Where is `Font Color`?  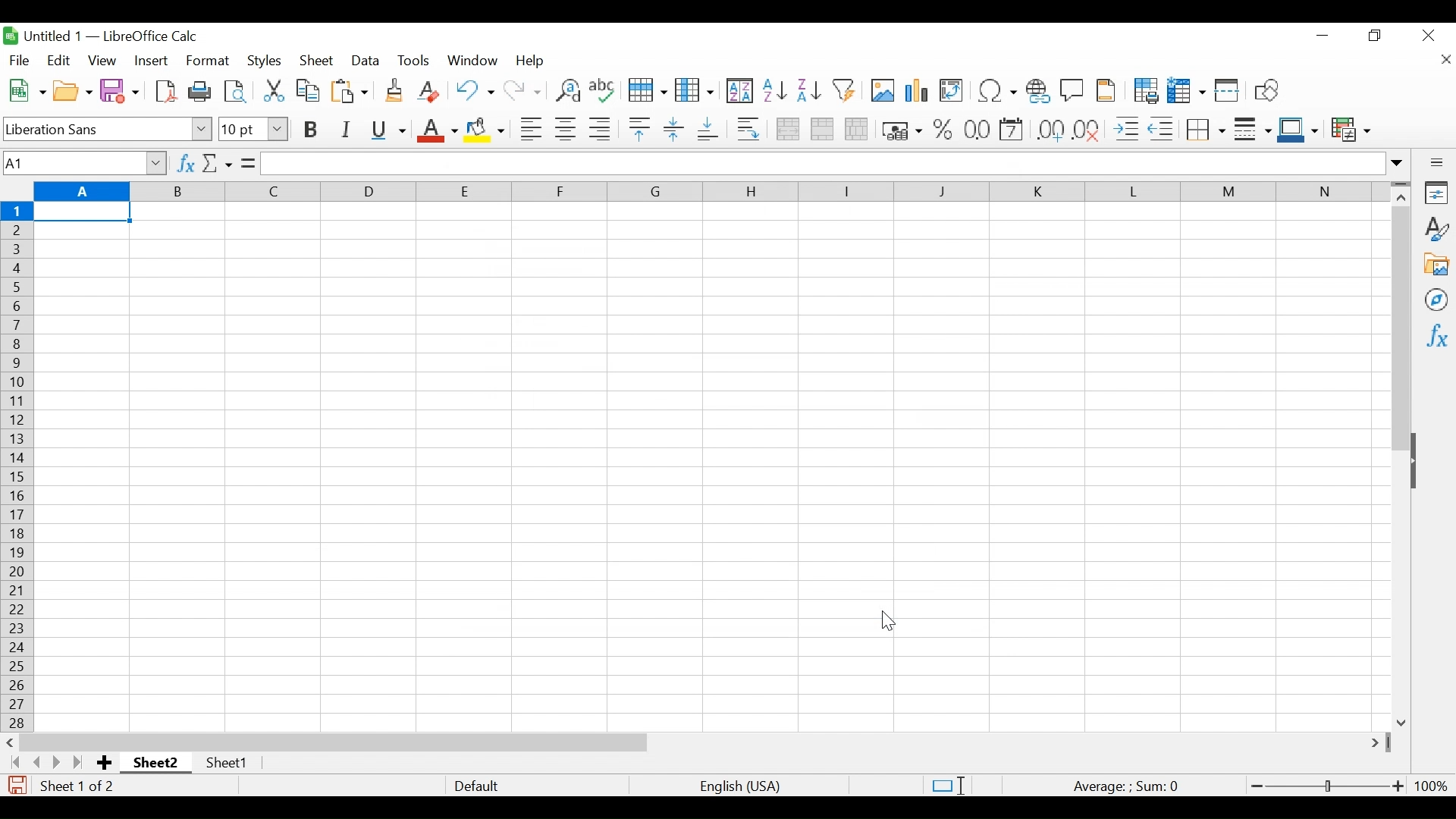
Font Color is located at coordinates (436, 131).